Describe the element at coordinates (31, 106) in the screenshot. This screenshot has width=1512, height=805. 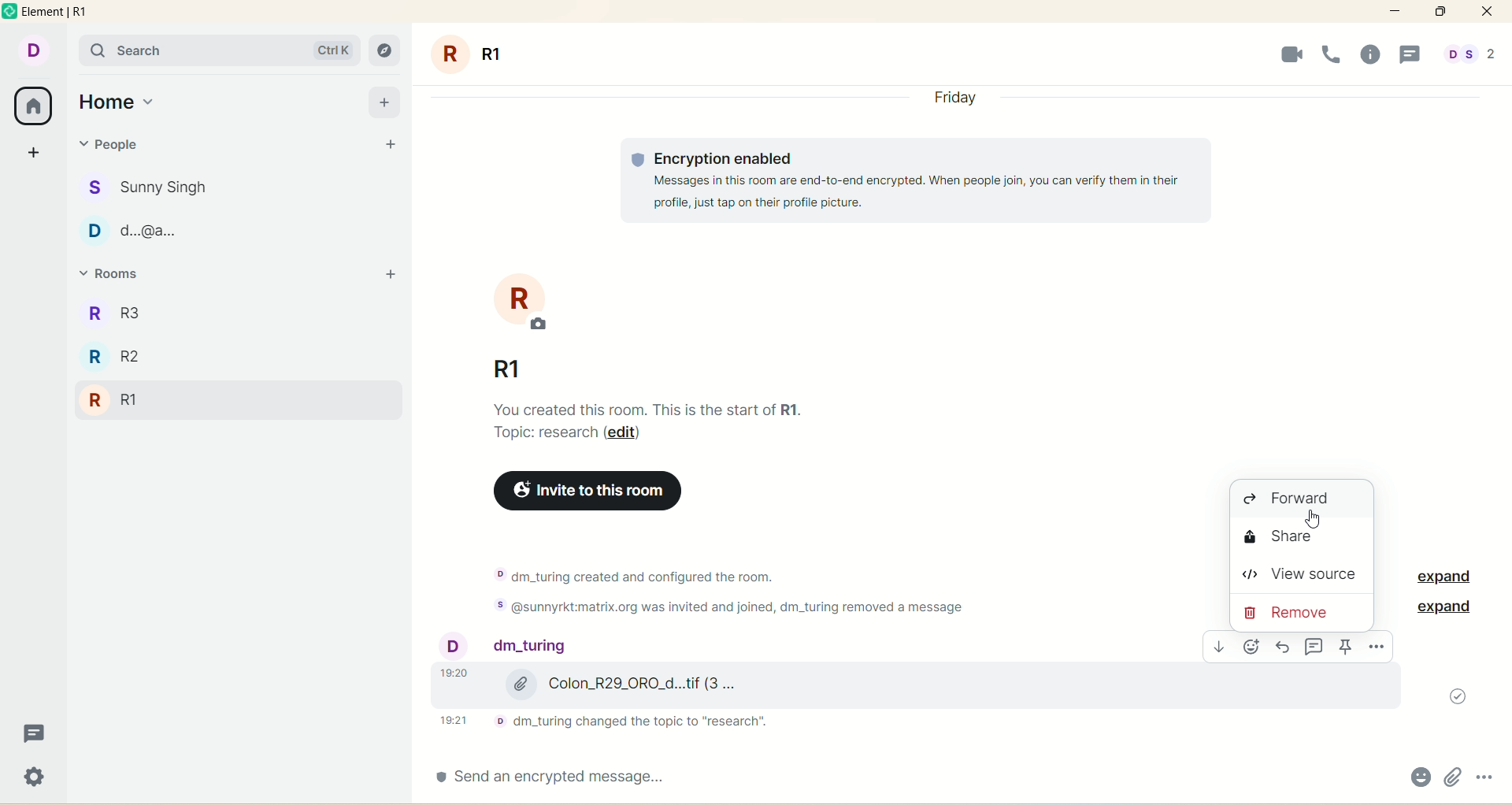
I see `all rooms` at that location.